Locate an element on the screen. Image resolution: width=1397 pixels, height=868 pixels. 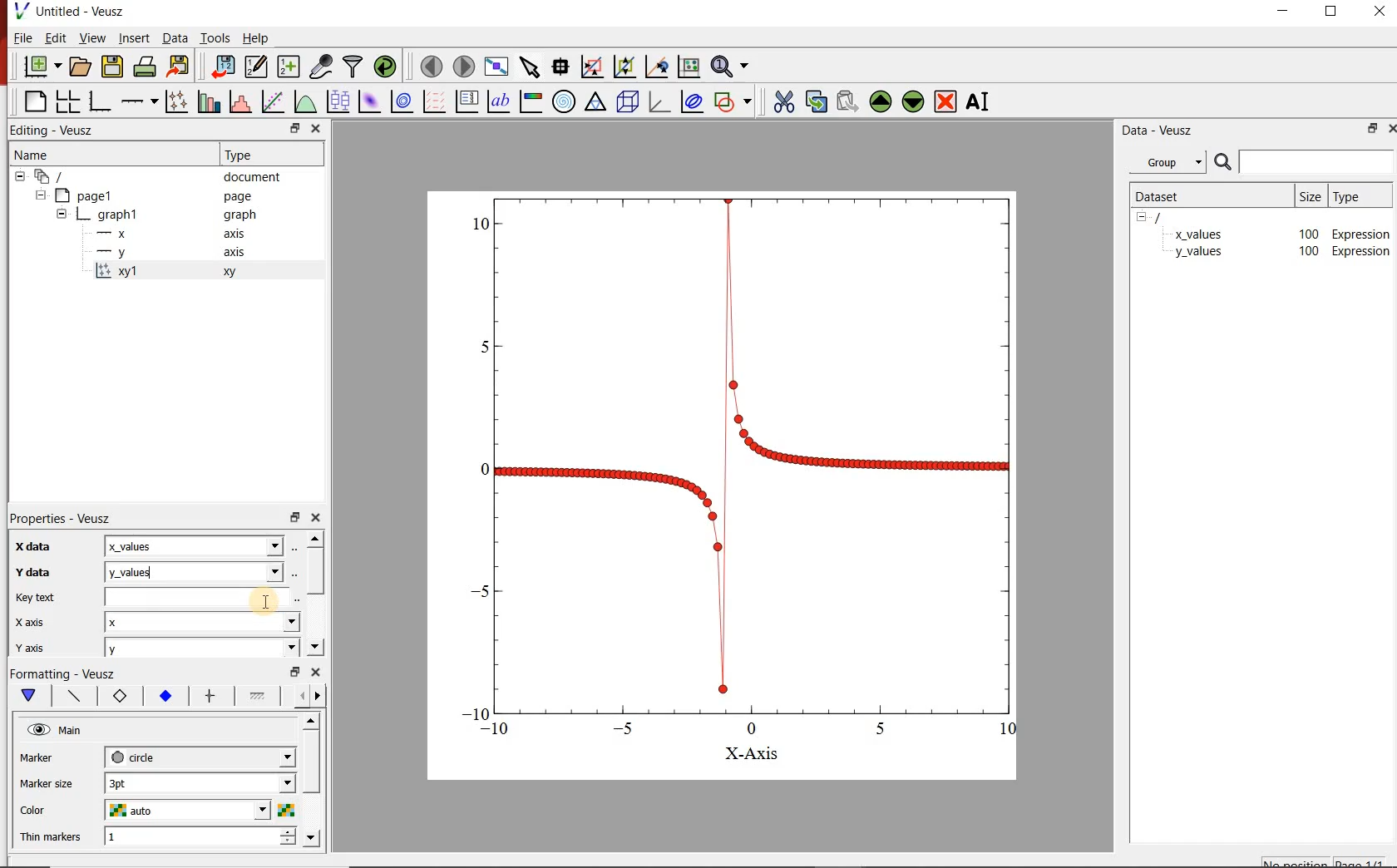
next options is located at coordinates (321, 697).